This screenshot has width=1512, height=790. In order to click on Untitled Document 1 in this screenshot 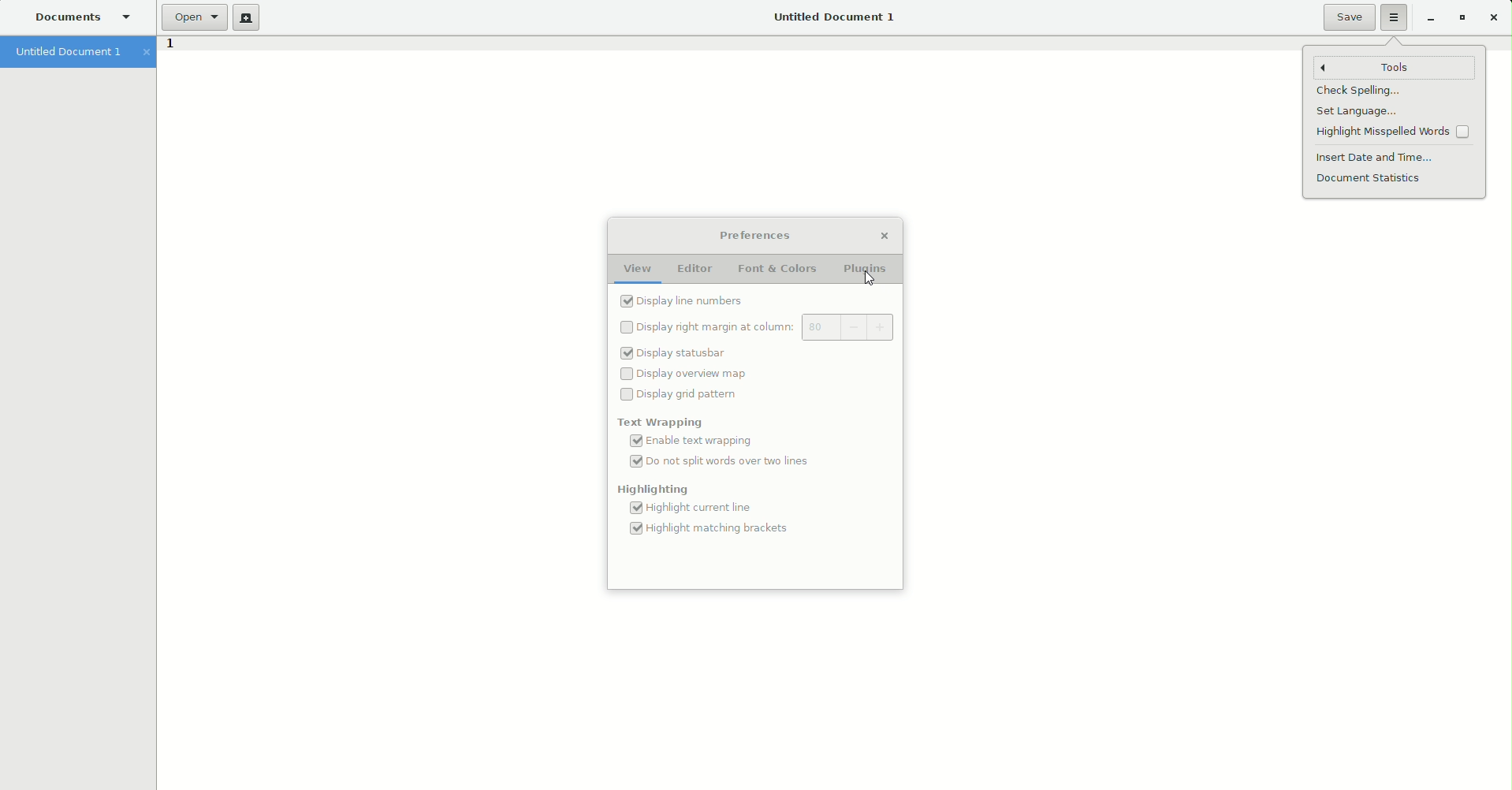, I will do `click(832, 17)`.